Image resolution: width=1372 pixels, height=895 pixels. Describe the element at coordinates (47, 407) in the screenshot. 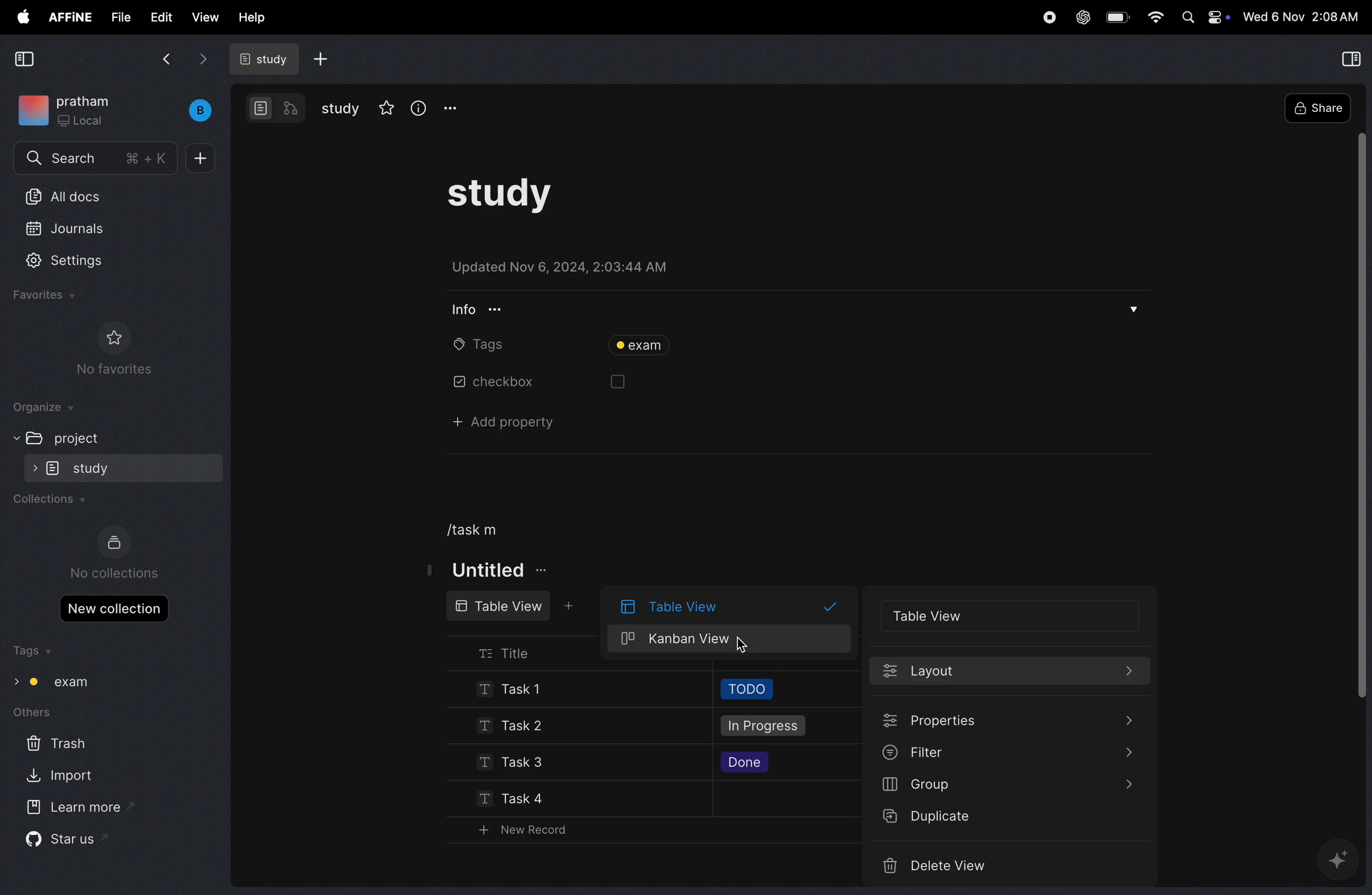

I see `organize` at that location.